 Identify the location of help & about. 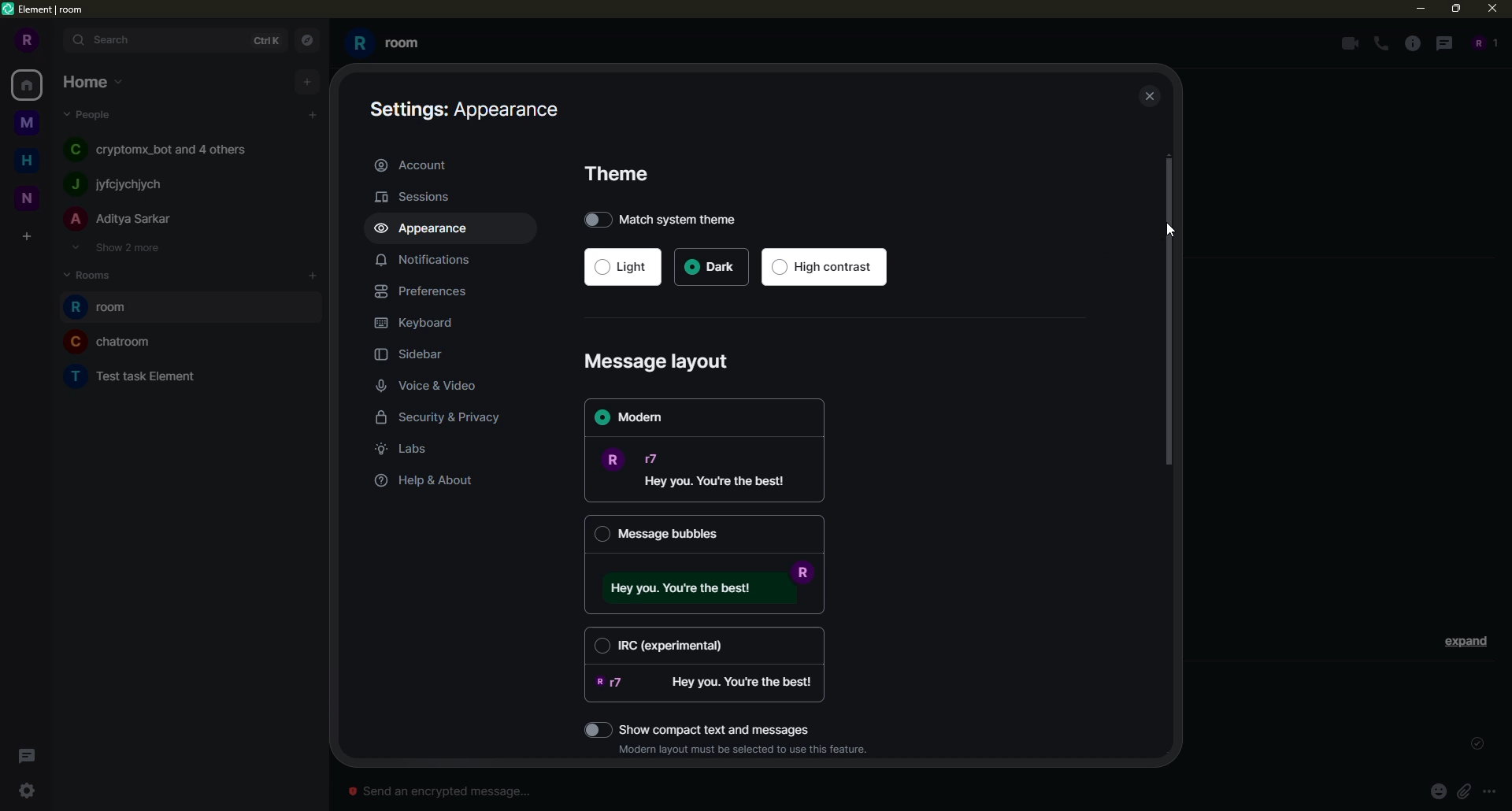
(426, 481).